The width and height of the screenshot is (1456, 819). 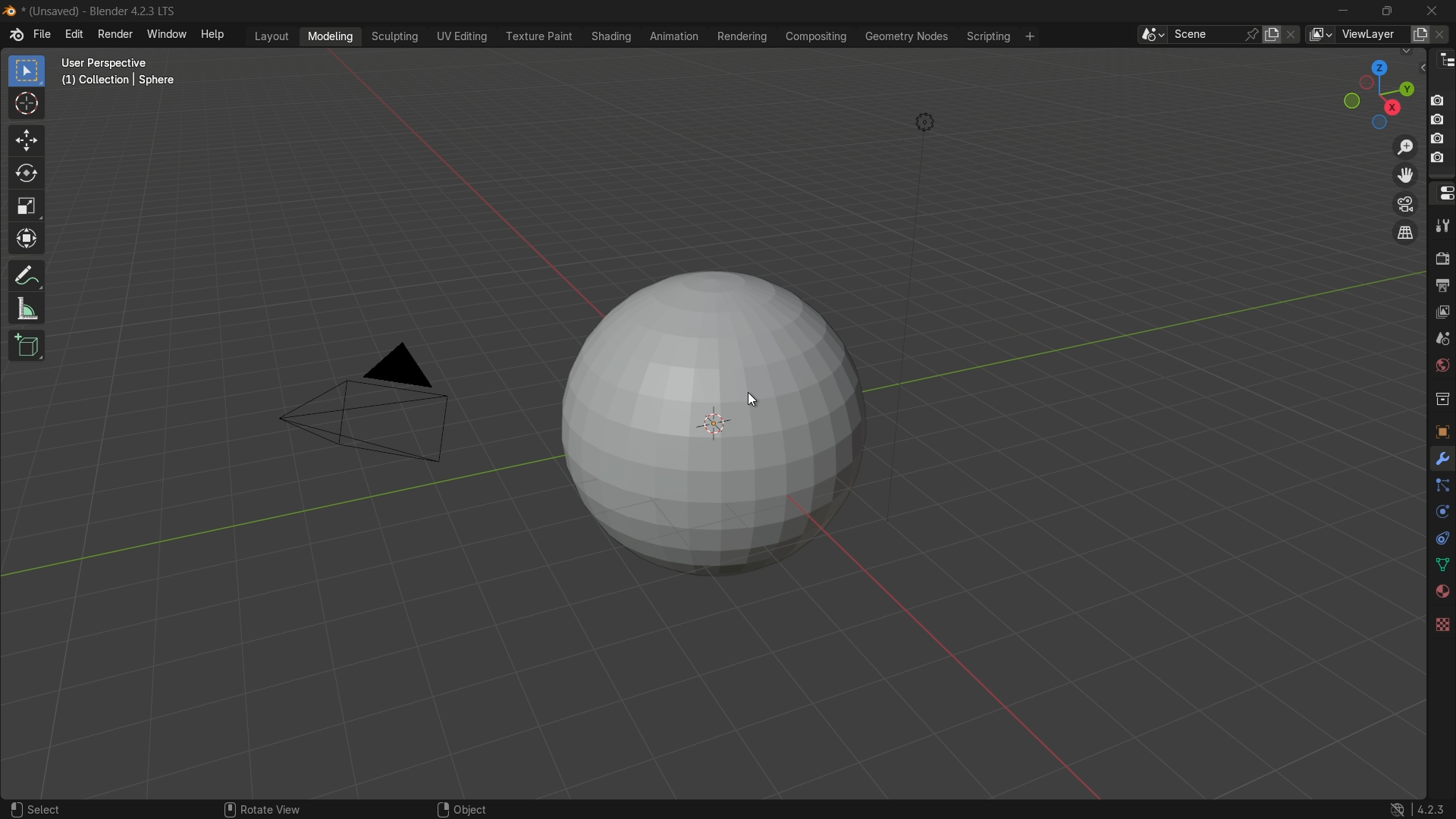 I want to click on new scene, so click(x=1272, y=34).